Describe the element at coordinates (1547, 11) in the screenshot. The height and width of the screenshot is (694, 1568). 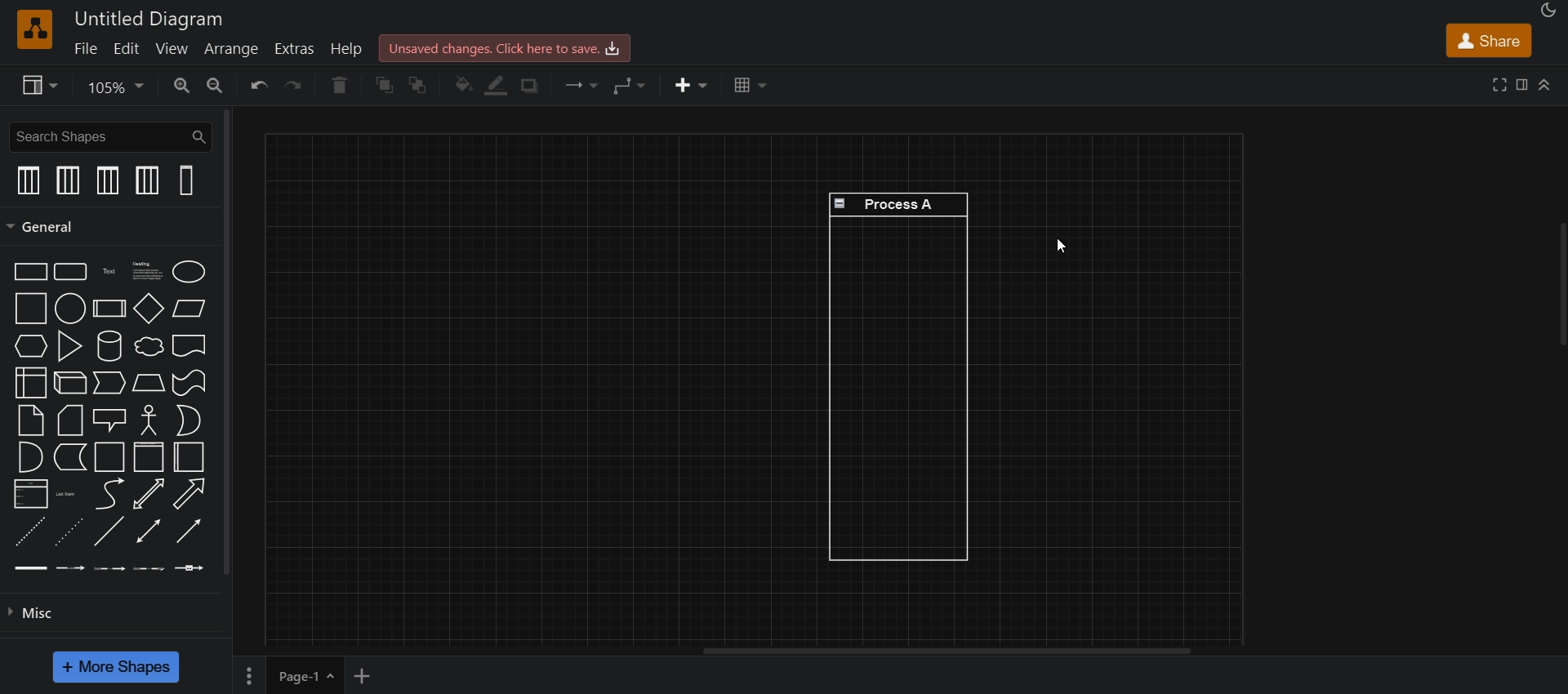
I see `appearance` at that location.